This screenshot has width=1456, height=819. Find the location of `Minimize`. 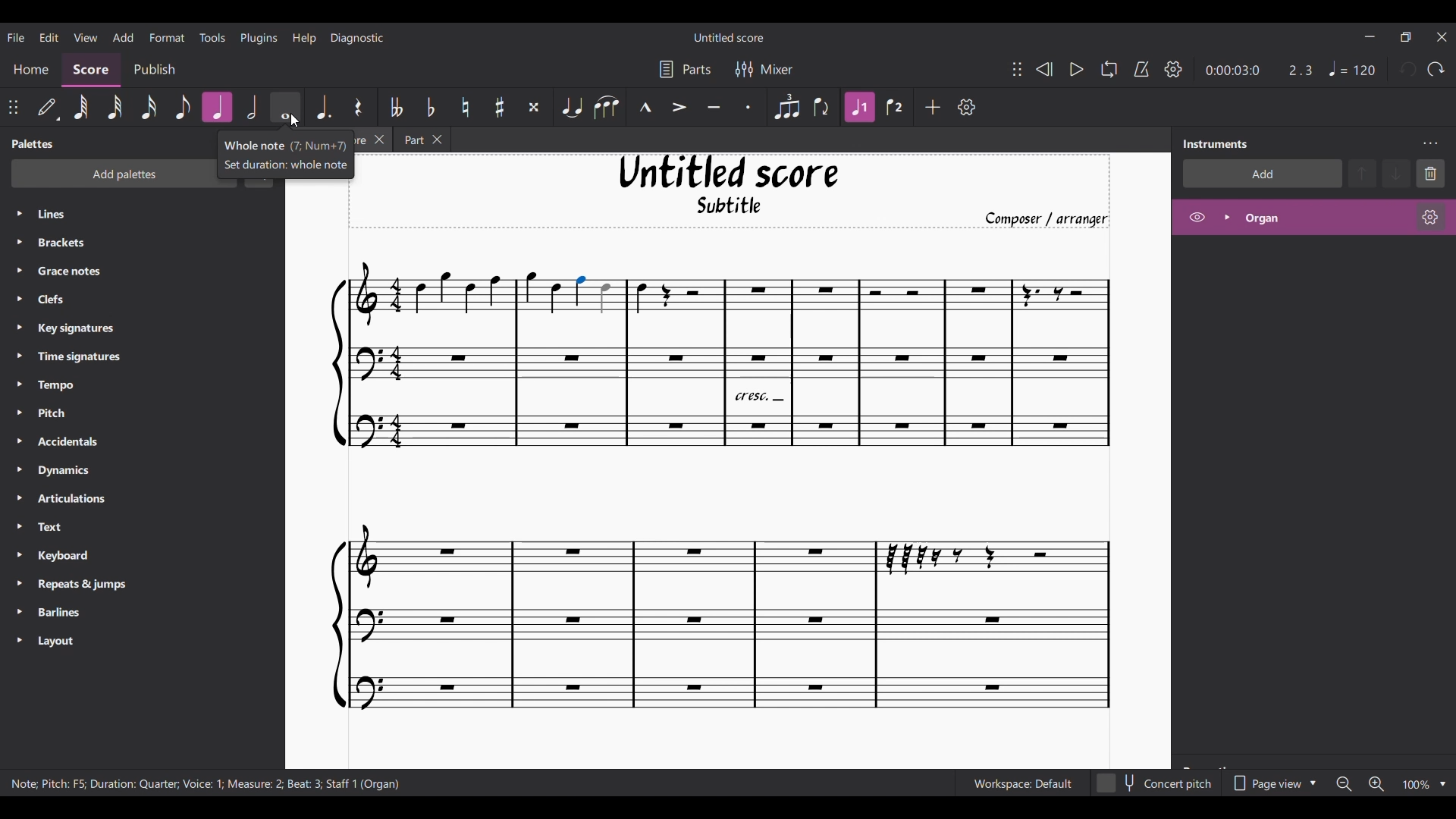

Minimize is located at coordinates (1371, 36).